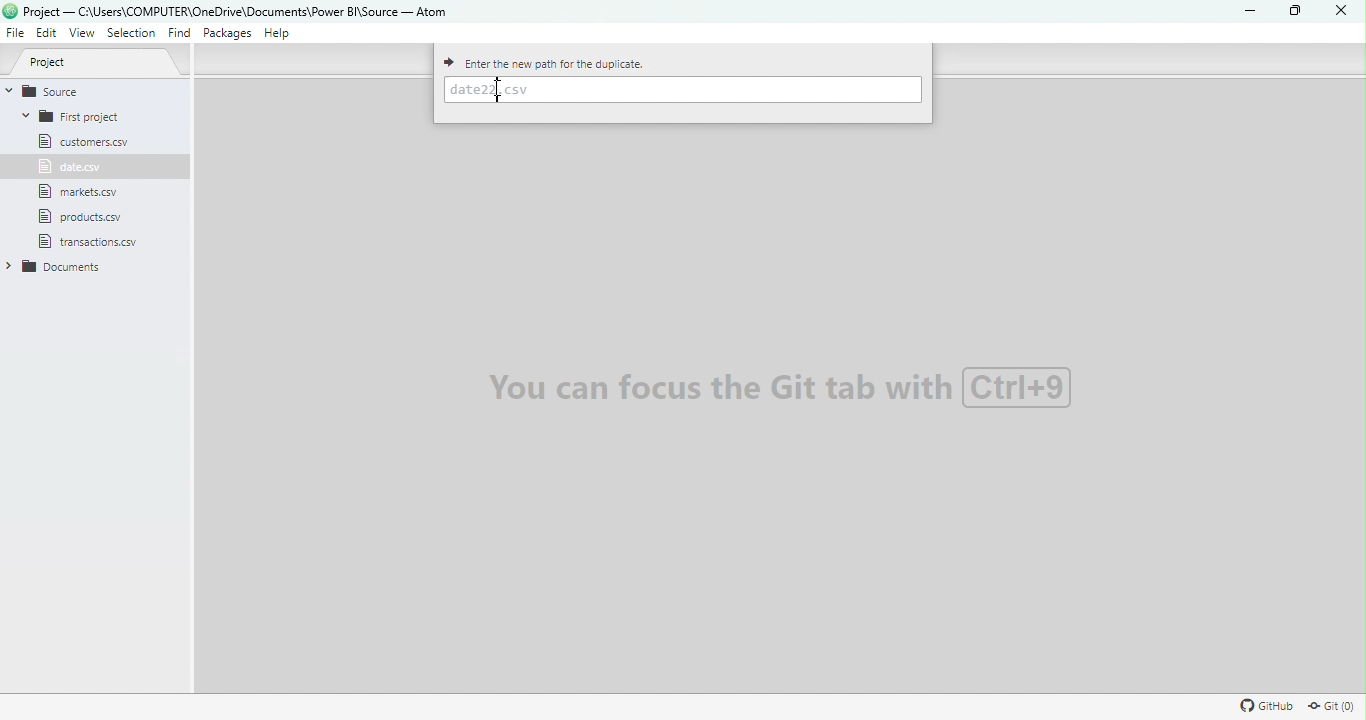 Image resolution: width=1366 pixels, height=720 pixels. I want to click on Packages, so click(230, 33).